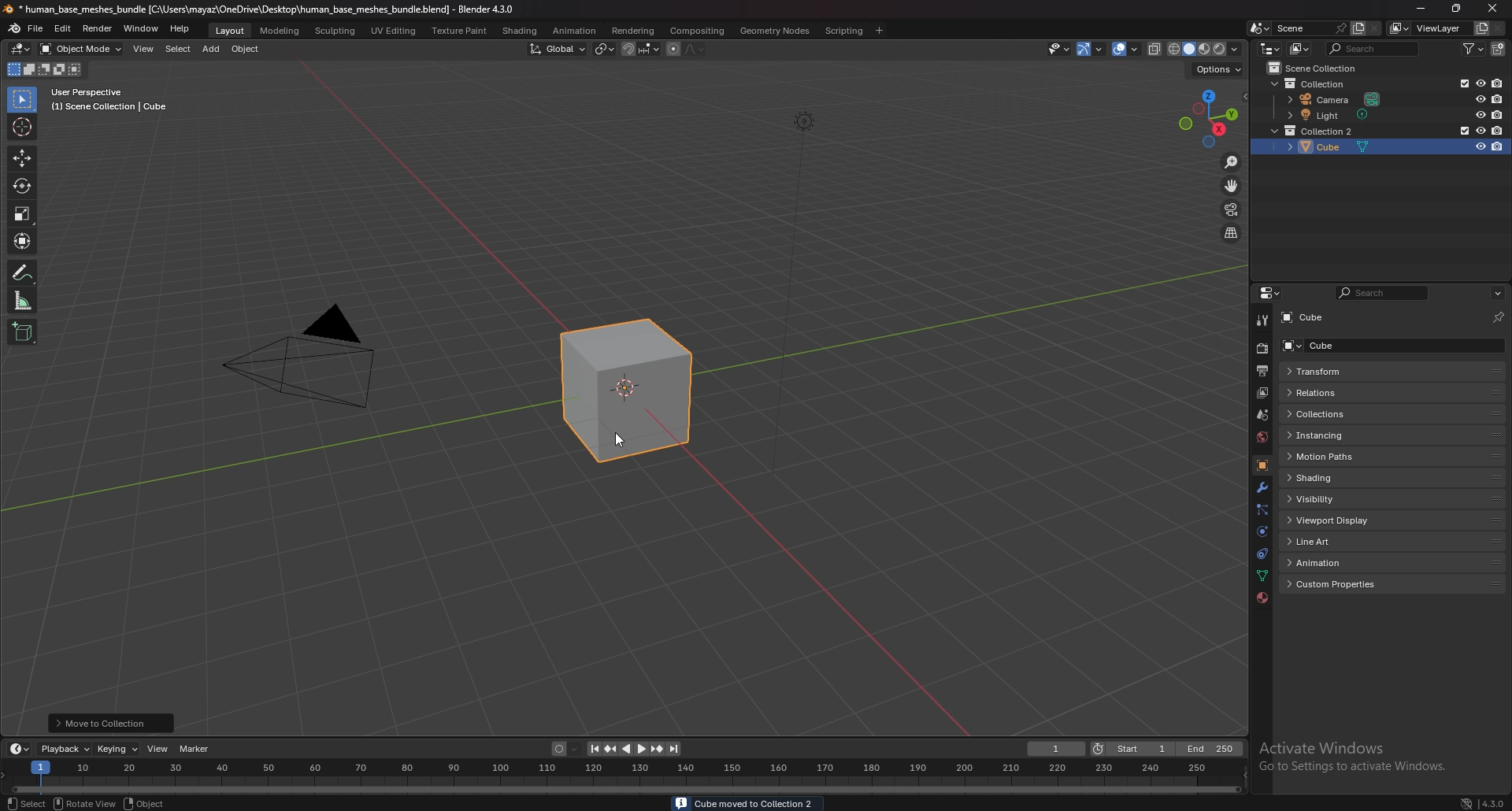  I want to click on modifier, so click(1262, 489).